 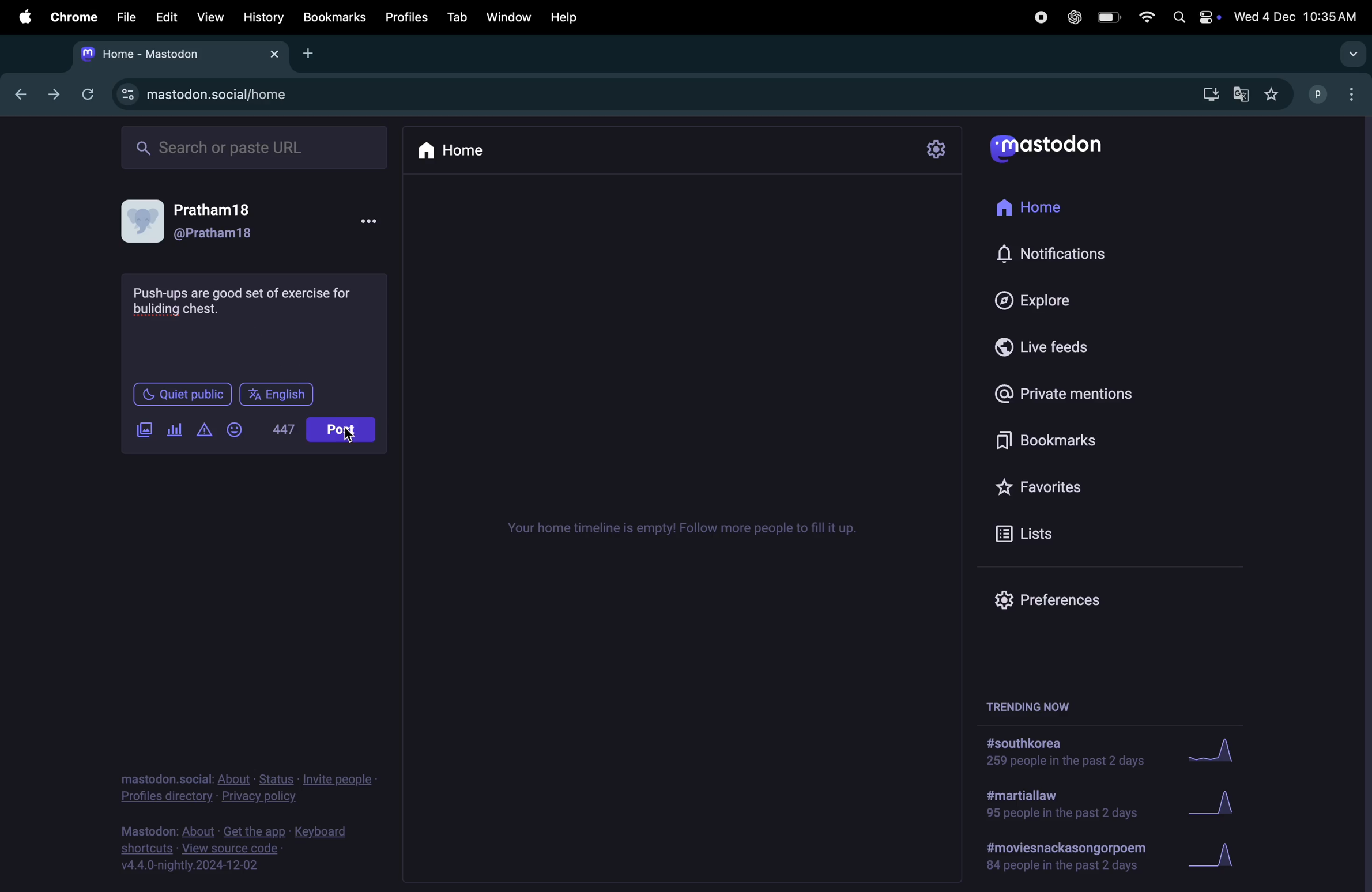 I want to click on date and time, so click(x=1297, y=14).